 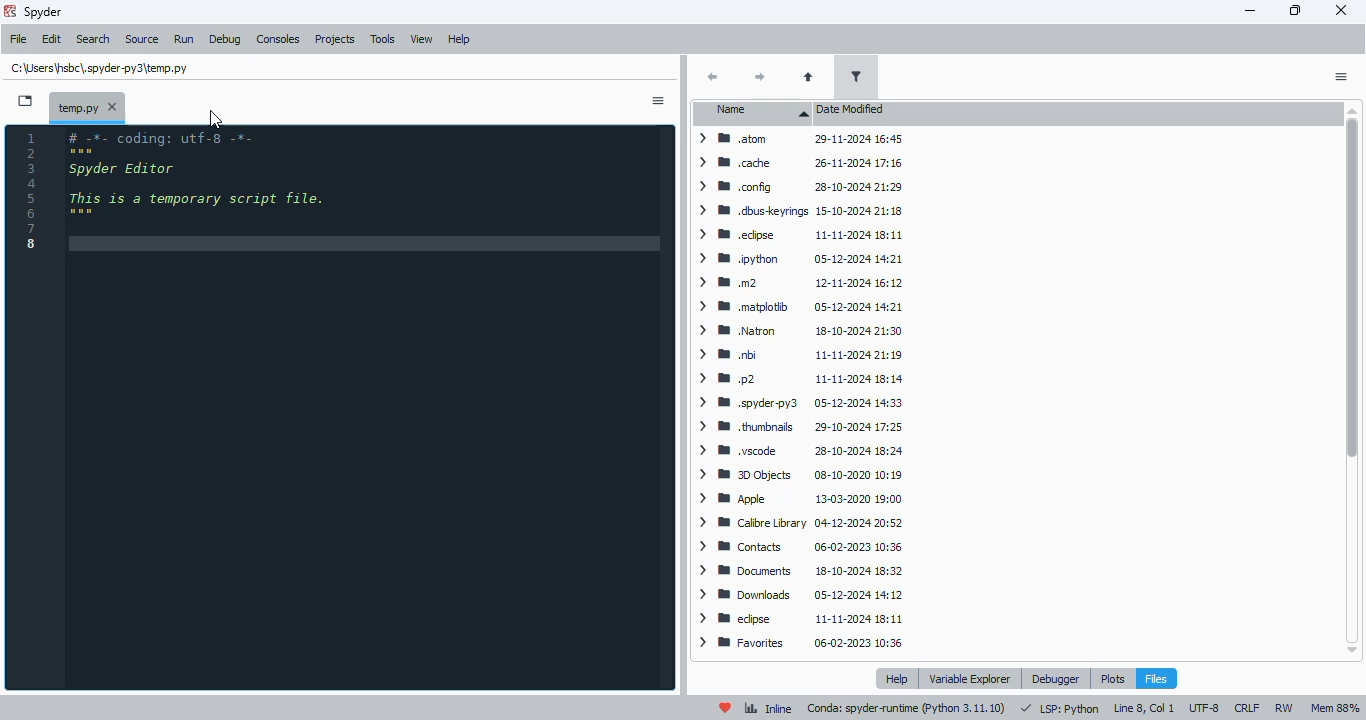 What do you see at coordinates (1156, 678) in the screenshot?
I see `files` at bounding box center [1156, 678].